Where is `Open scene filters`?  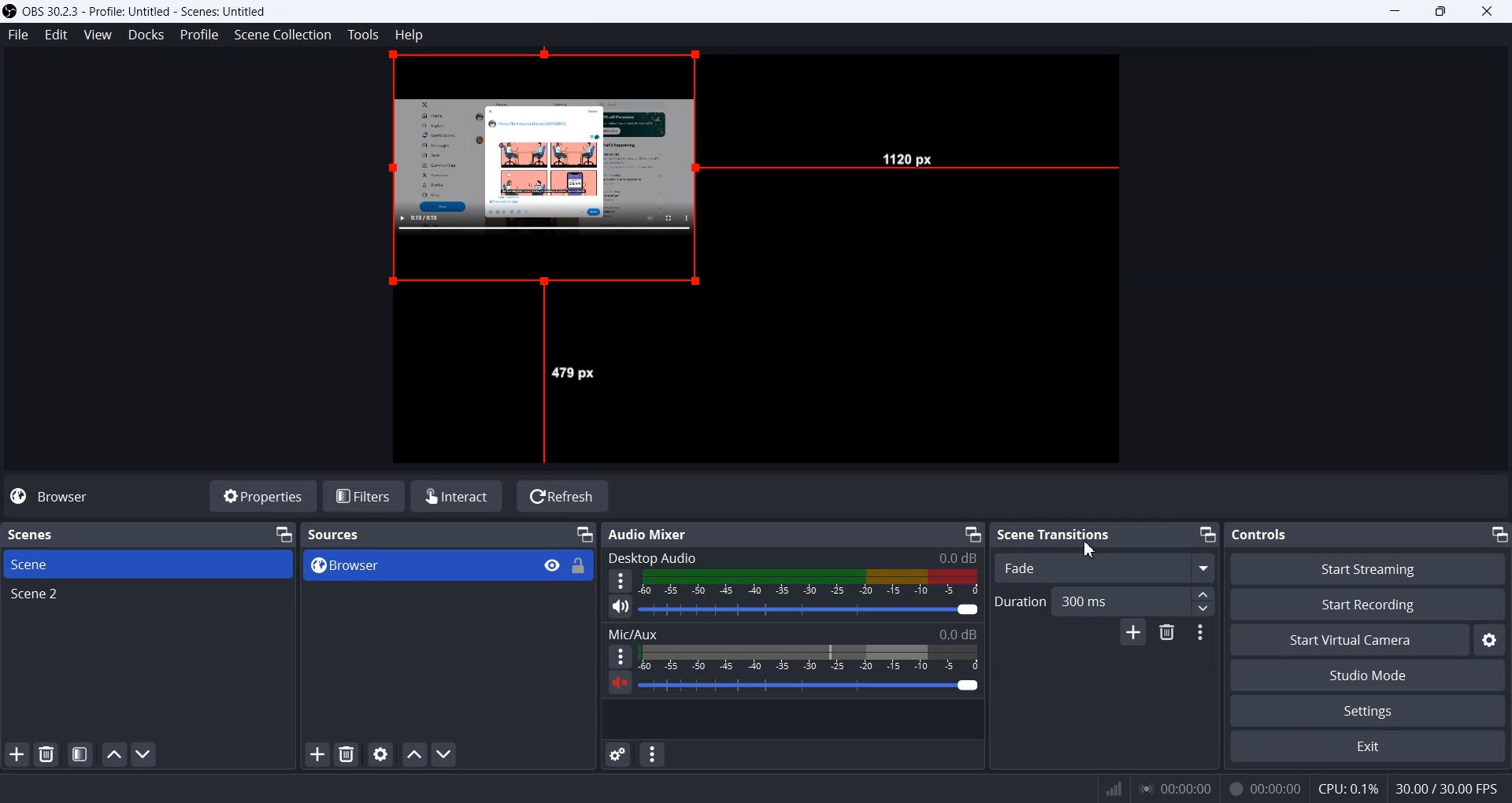 Open scene filters is located at coordinates (79, 754).